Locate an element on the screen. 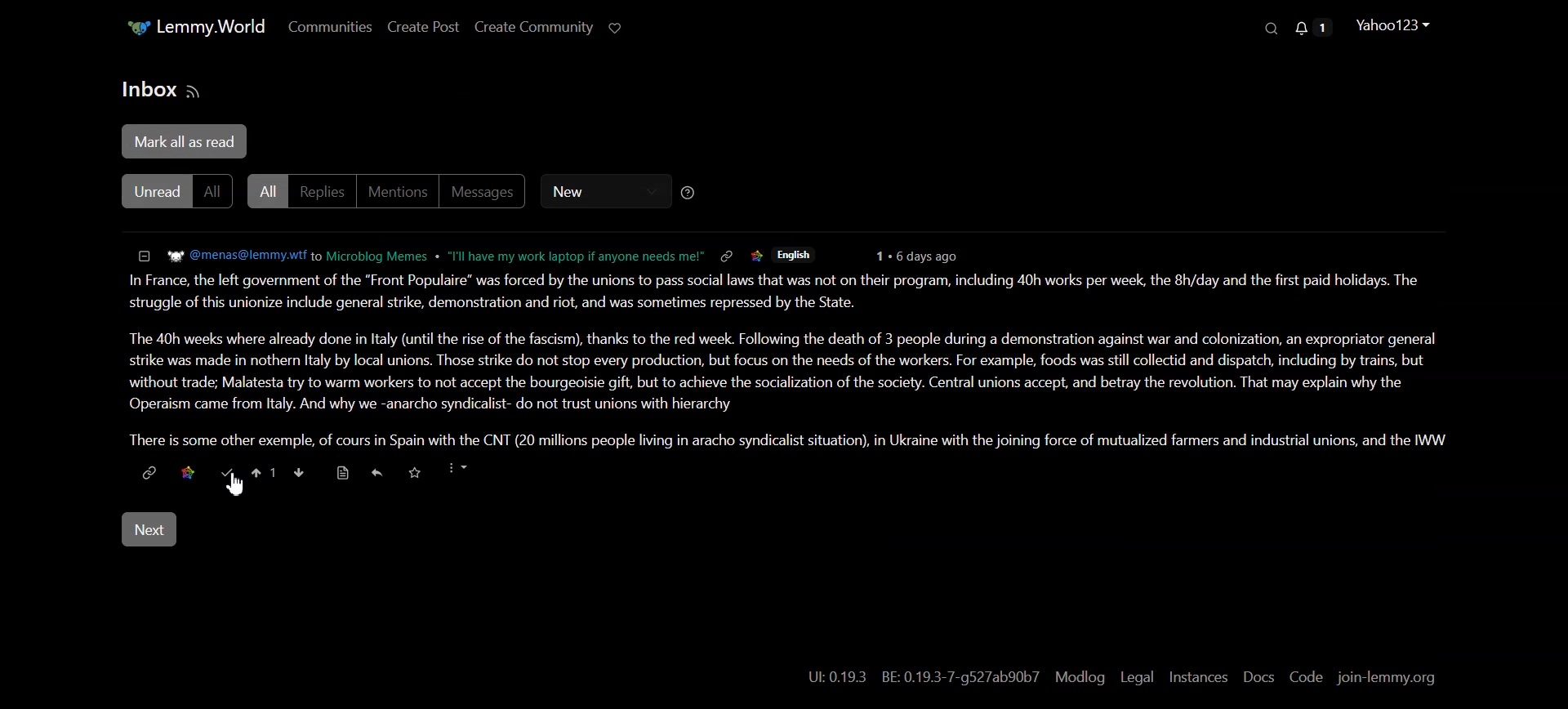 Image resolution: width=1568 pixels, height=709 pixels. In France, the left government of the "Front Populaire” was forced by the unions to pass social laws that was not on their program, including 40h works per week, the 8h/day and the first paid holidays. The
struggle of this unionize include general strike, demonstration and riot, and was sometimes repressed by the State.

The 40h weeks where already done in ltaly (until the rise of the fascism), thanks to the red week. Following the death of 3 people during a demonstration against war and colonization, an expropriator general
strike was made in nothern Italy by local unions. Those strike do not stop every production, but focus on the needs of the workers. For example, foods was still collectid and dispatch, including by trains, but
without trade; Malatesta try to warm workers to not accept the bourgeoisie gift, but to achieve the socialization of the society. Central unions accept, and betray the revolution. That may explain why the
Operaism came from Italy. And why we -anarcho syndicalist- do not trust unions with hierarchy

There is some other exemple, of cours in Spain with the CNT (20 millions people living in aracho syndicalist situation), in Ukraine with the joining force of mutualized farmers and industrial unions, and the WW is located at coordinates (751, 359).